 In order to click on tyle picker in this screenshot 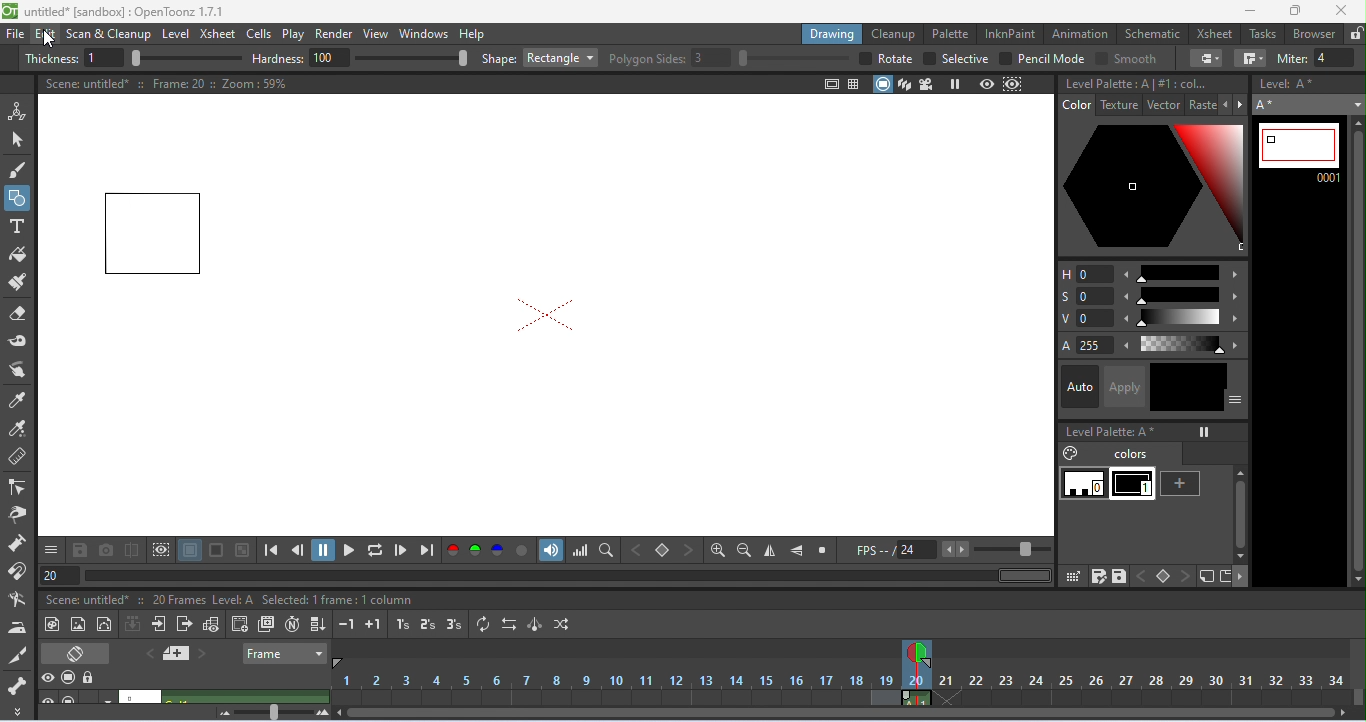, I will do `click(17, 398)`.